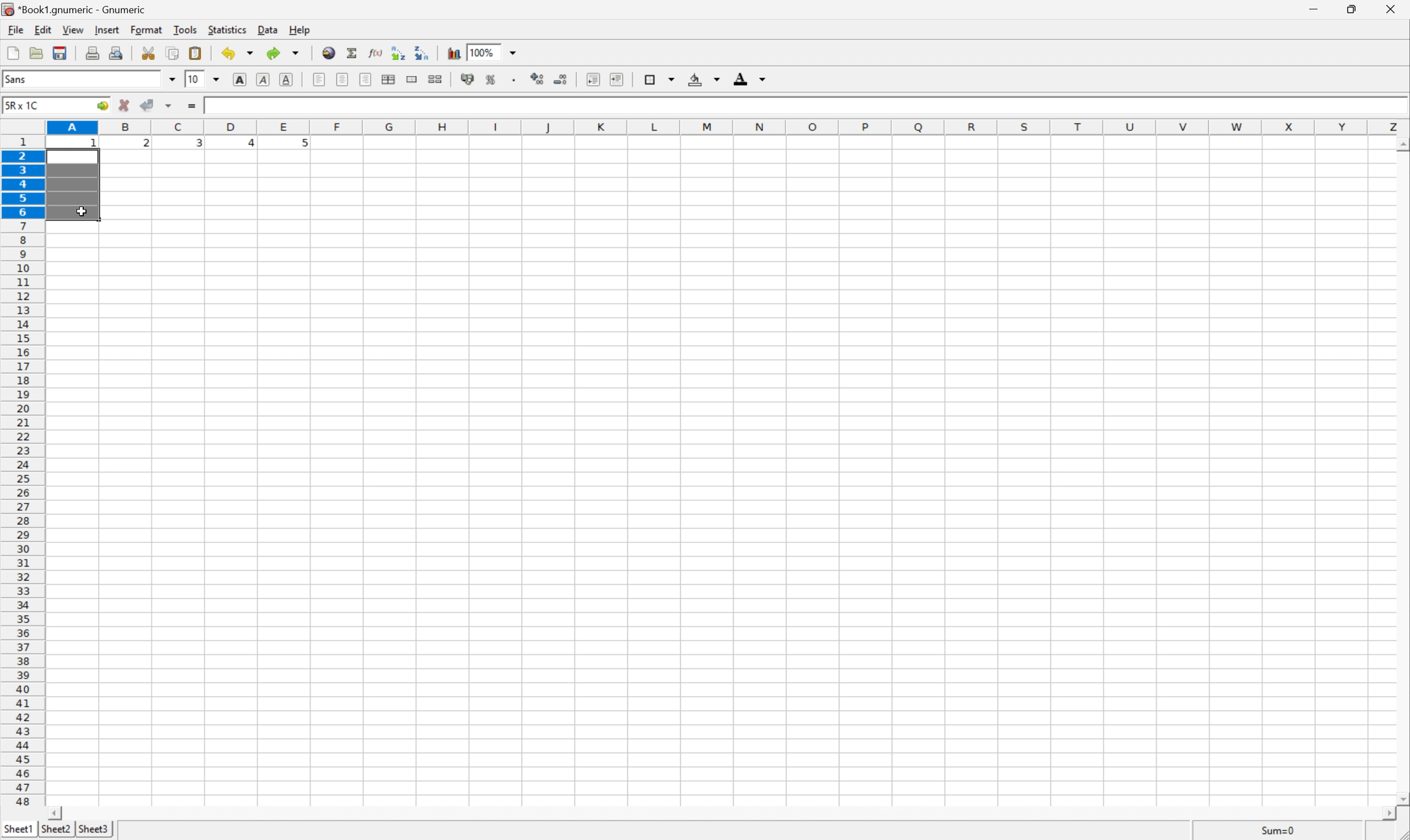 Image resolution: width=1410 pixels, height=840 pixels. I want to click on increase number of decimals displayed, so click(539, 79).